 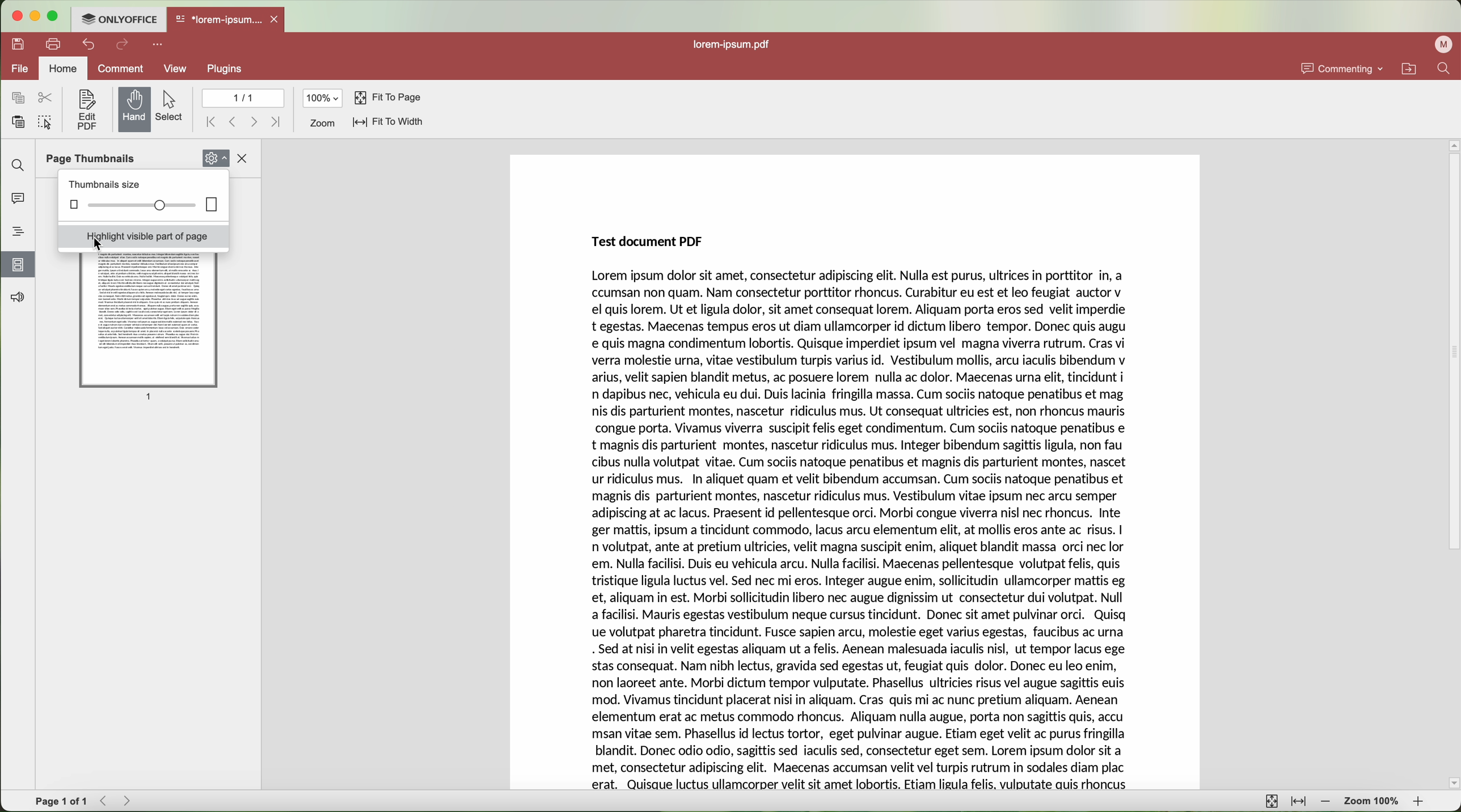 What do you see at coordinates (16, 165) in the screenshot?
I see `find` at bounding box center [16, 165].